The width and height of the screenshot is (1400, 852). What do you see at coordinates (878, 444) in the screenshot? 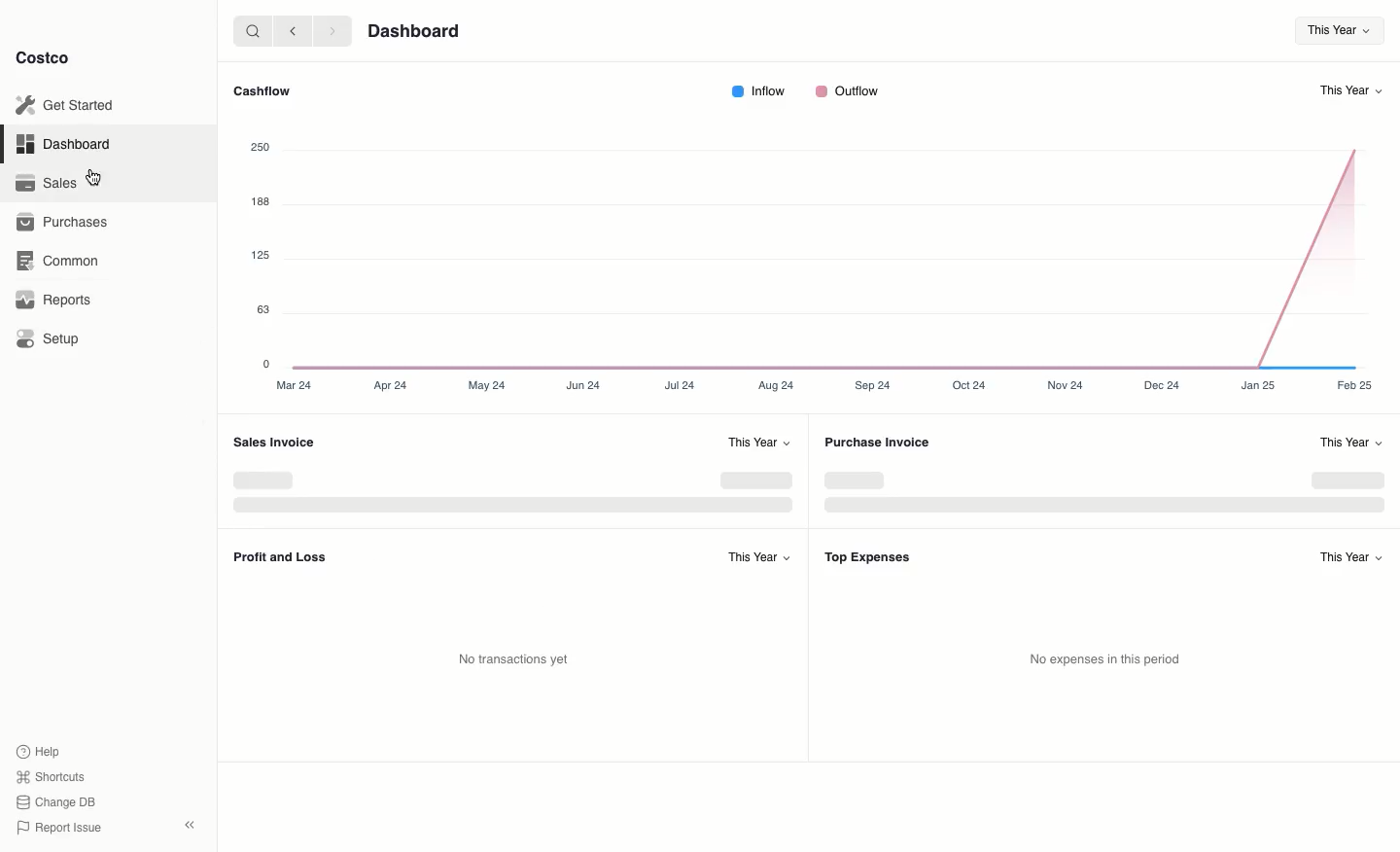
I see `Purchase Invoice` at bounding box center [878, 444].